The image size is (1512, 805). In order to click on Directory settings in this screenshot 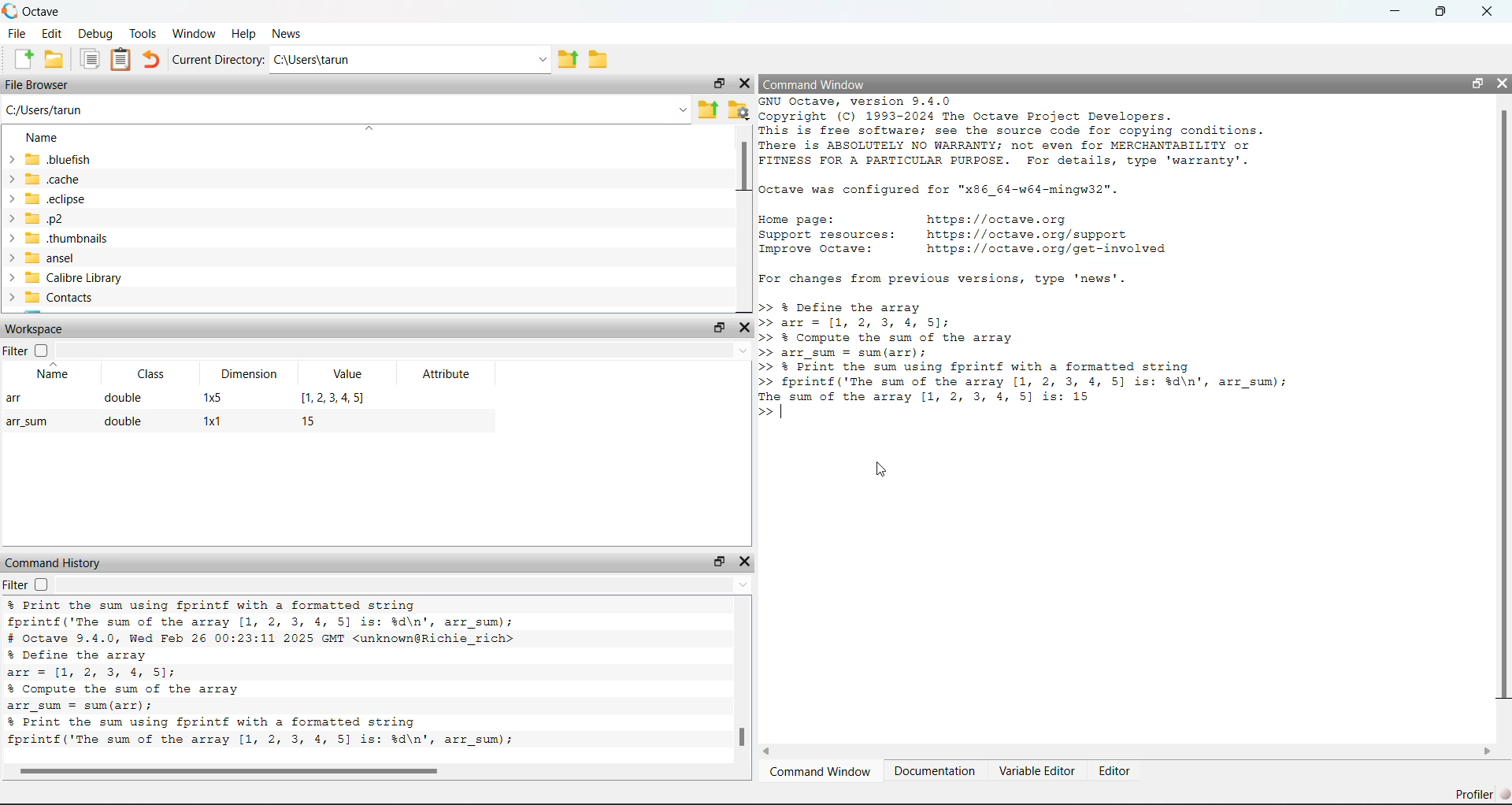, I will do `click(739, 109)`.